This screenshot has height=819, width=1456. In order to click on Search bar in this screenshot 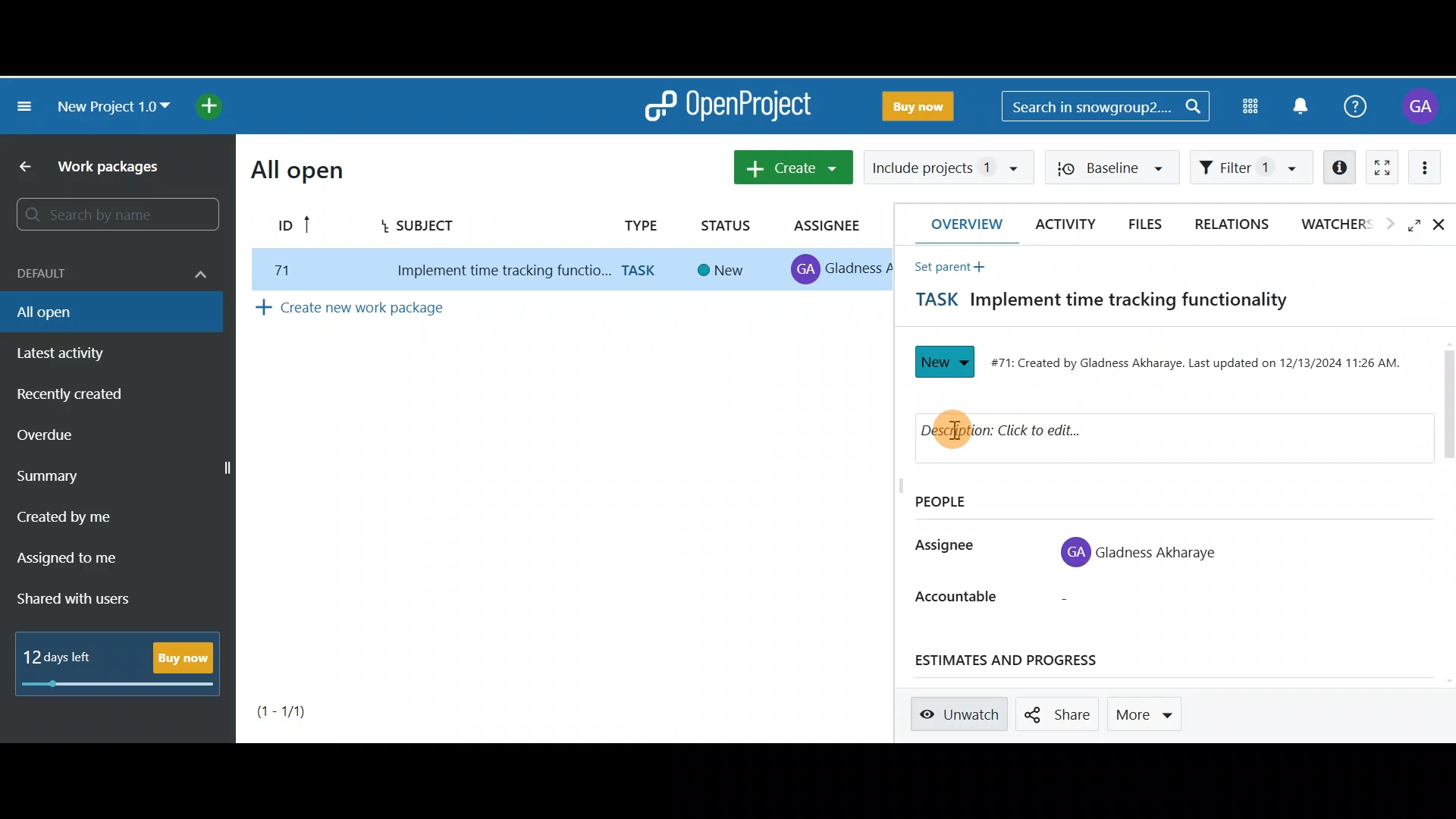, I will do `click(113, 215)`.